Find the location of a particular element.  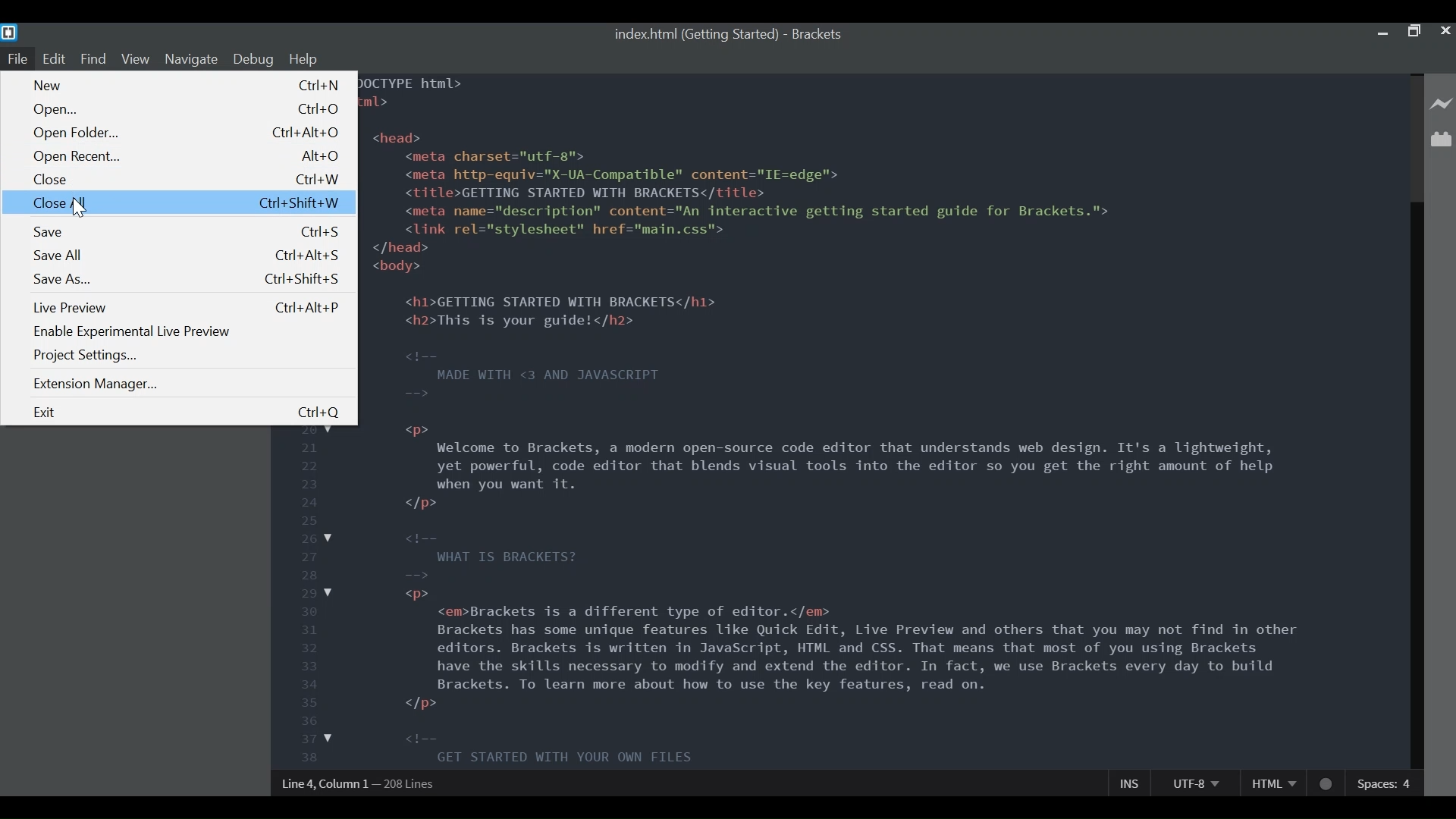

Close All is located at coordinates (179, 202).